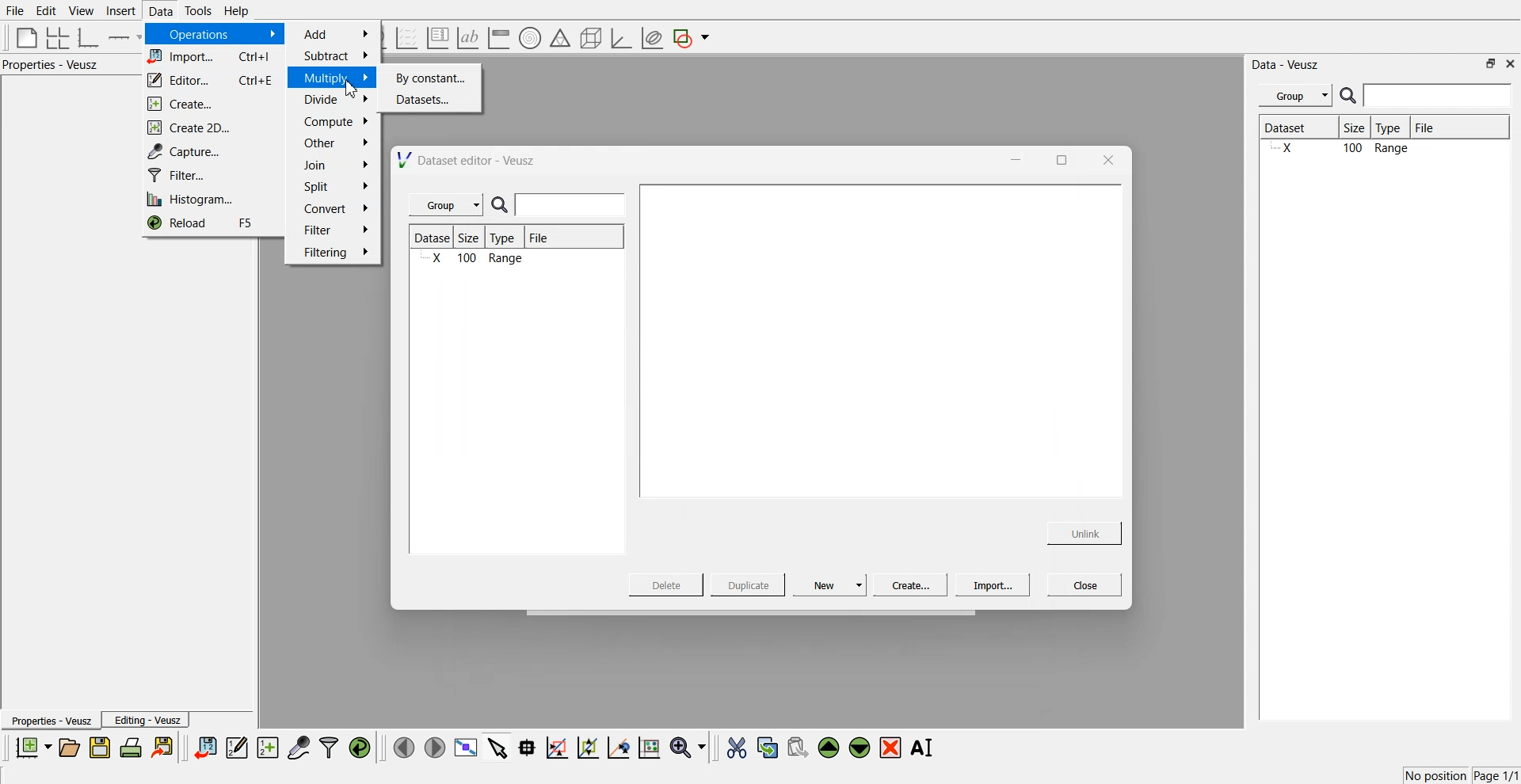 The image size is (1521, 784). I want to click on Capture..., so click(215, 151).